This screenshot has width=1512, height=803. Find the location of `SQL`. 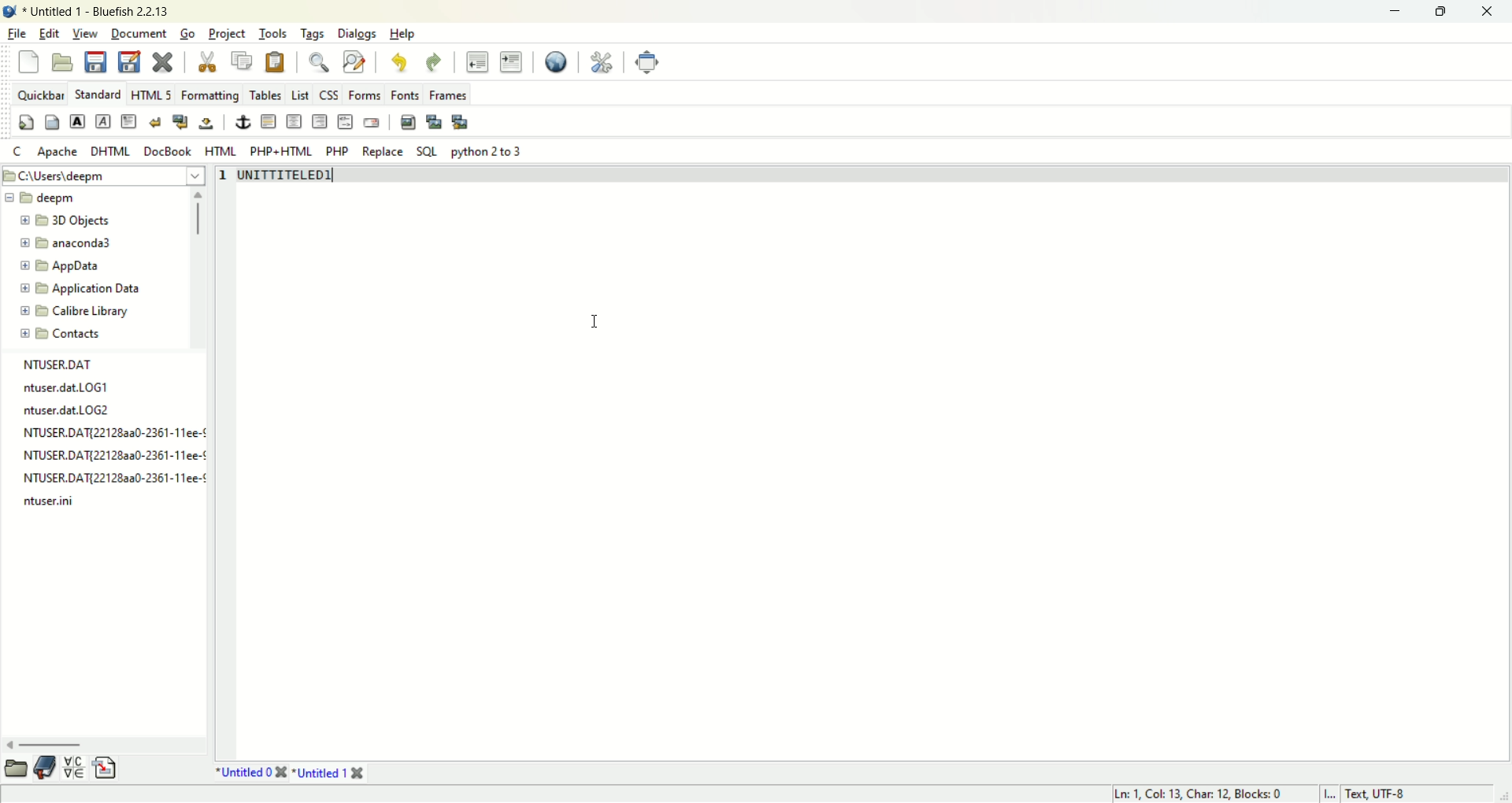

SQL is located at coordinates (426, 152).